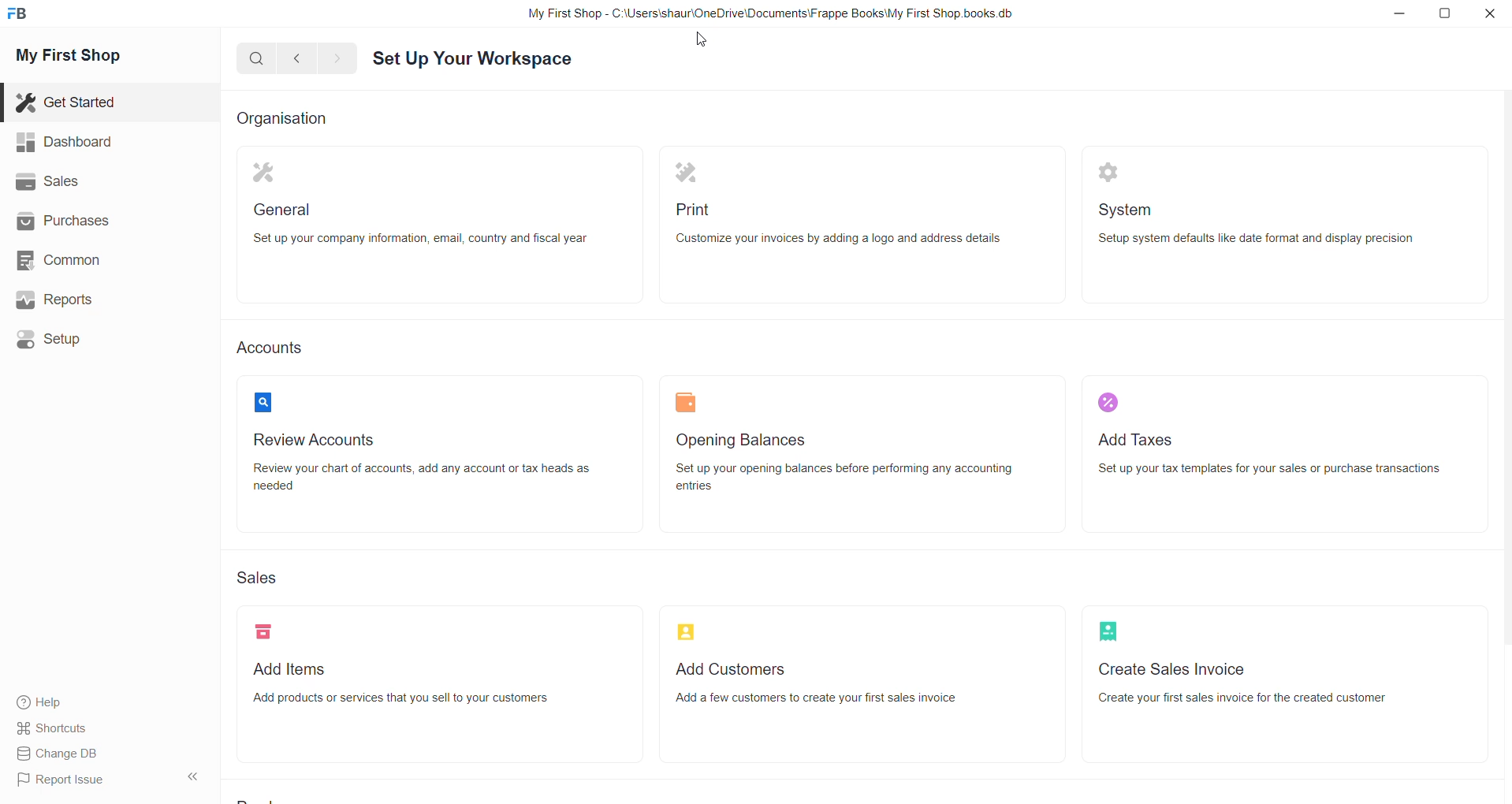 The height and width of the screenshot is (804, 1512). I want to click on Sales, so click(256, 579).